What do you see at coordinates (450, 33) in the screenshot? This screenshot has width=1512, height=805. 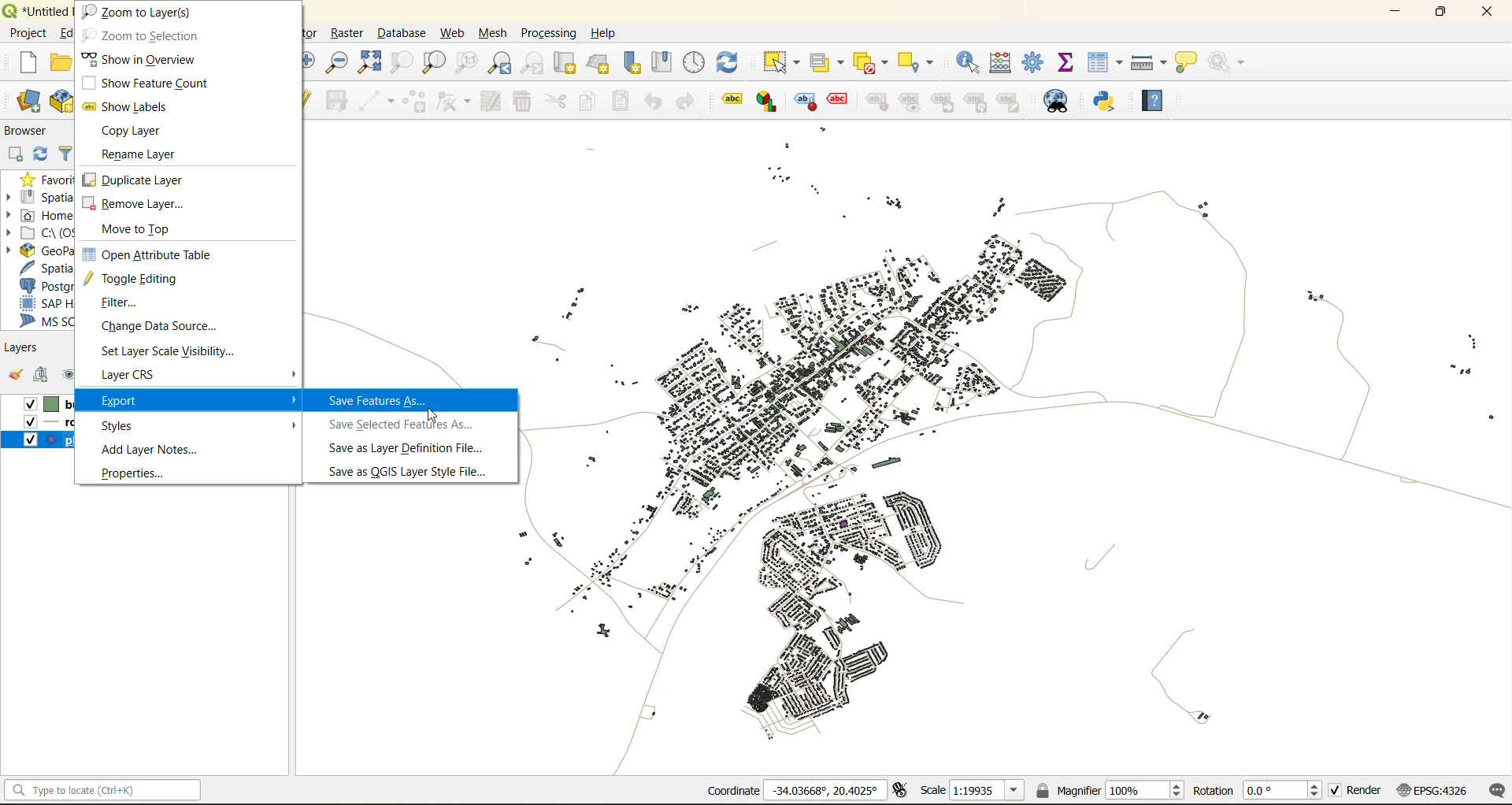 I see `web` at bounding box center [450, 33].